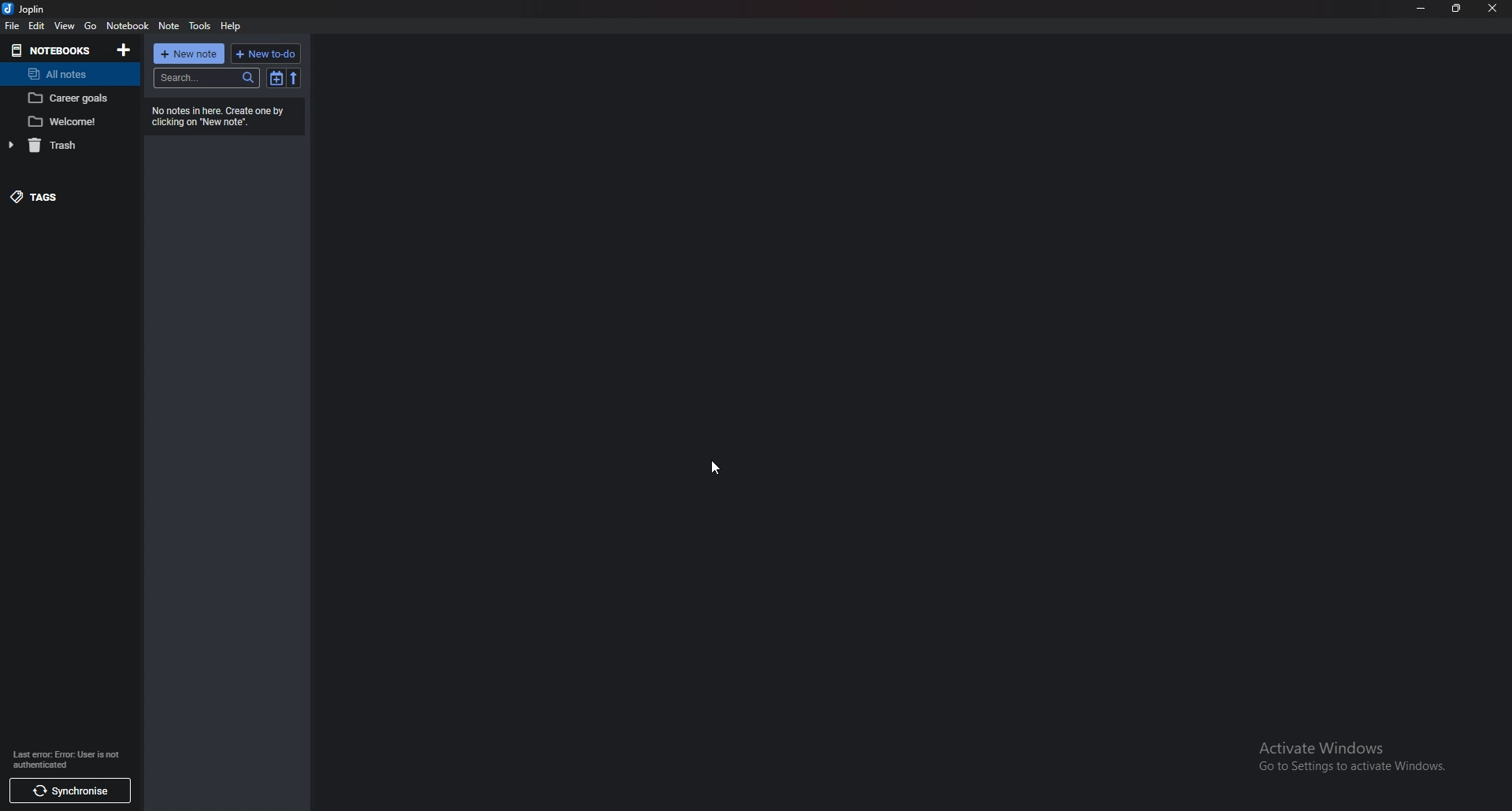 This screenshot has height=811, width=1512. Describe the element at coordinates (71, 99) in the screenshot. I see `notes` at that location.